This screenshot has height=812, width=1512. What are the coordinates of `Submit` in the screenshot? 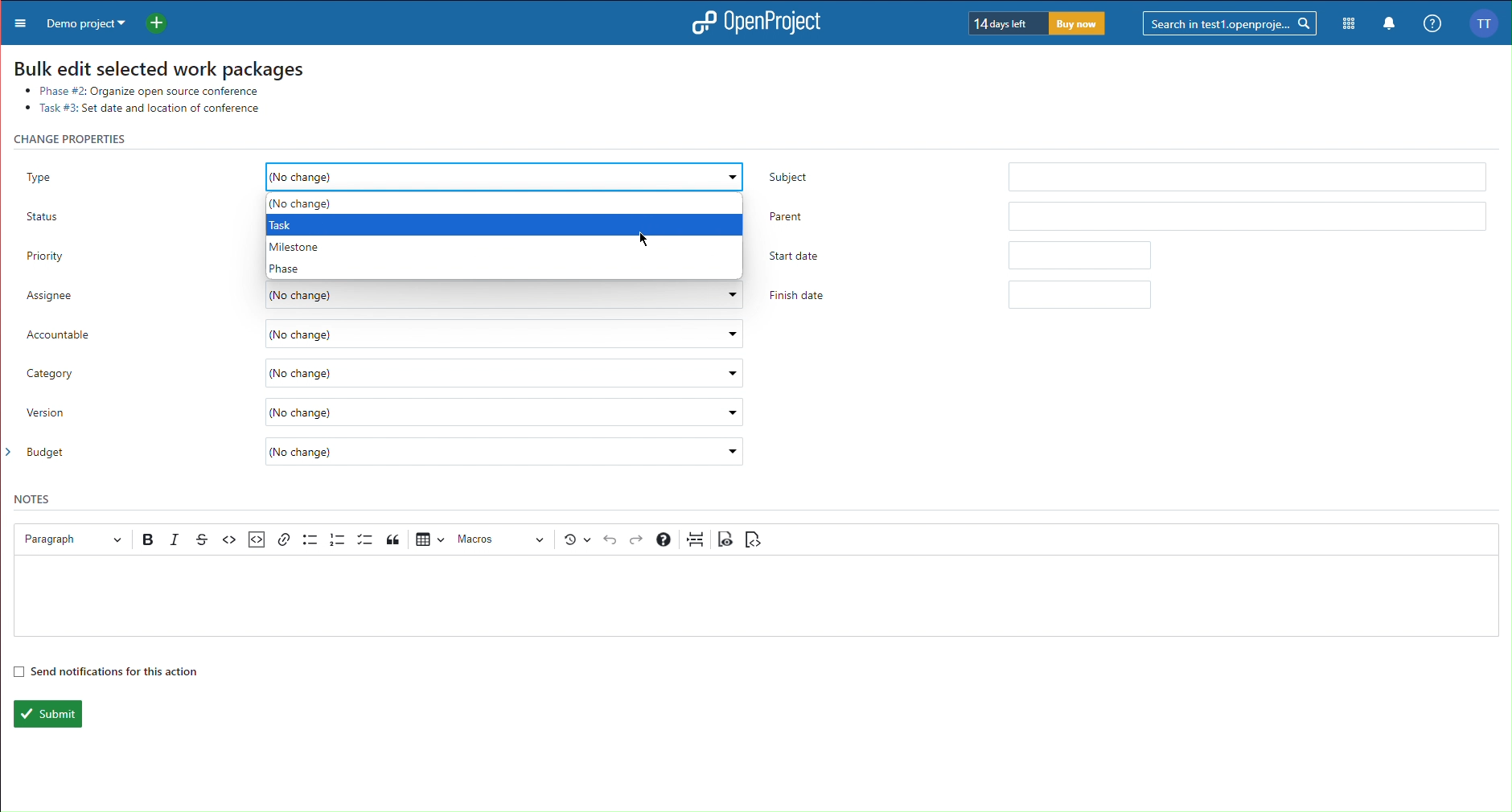 It's located at (46, 714).